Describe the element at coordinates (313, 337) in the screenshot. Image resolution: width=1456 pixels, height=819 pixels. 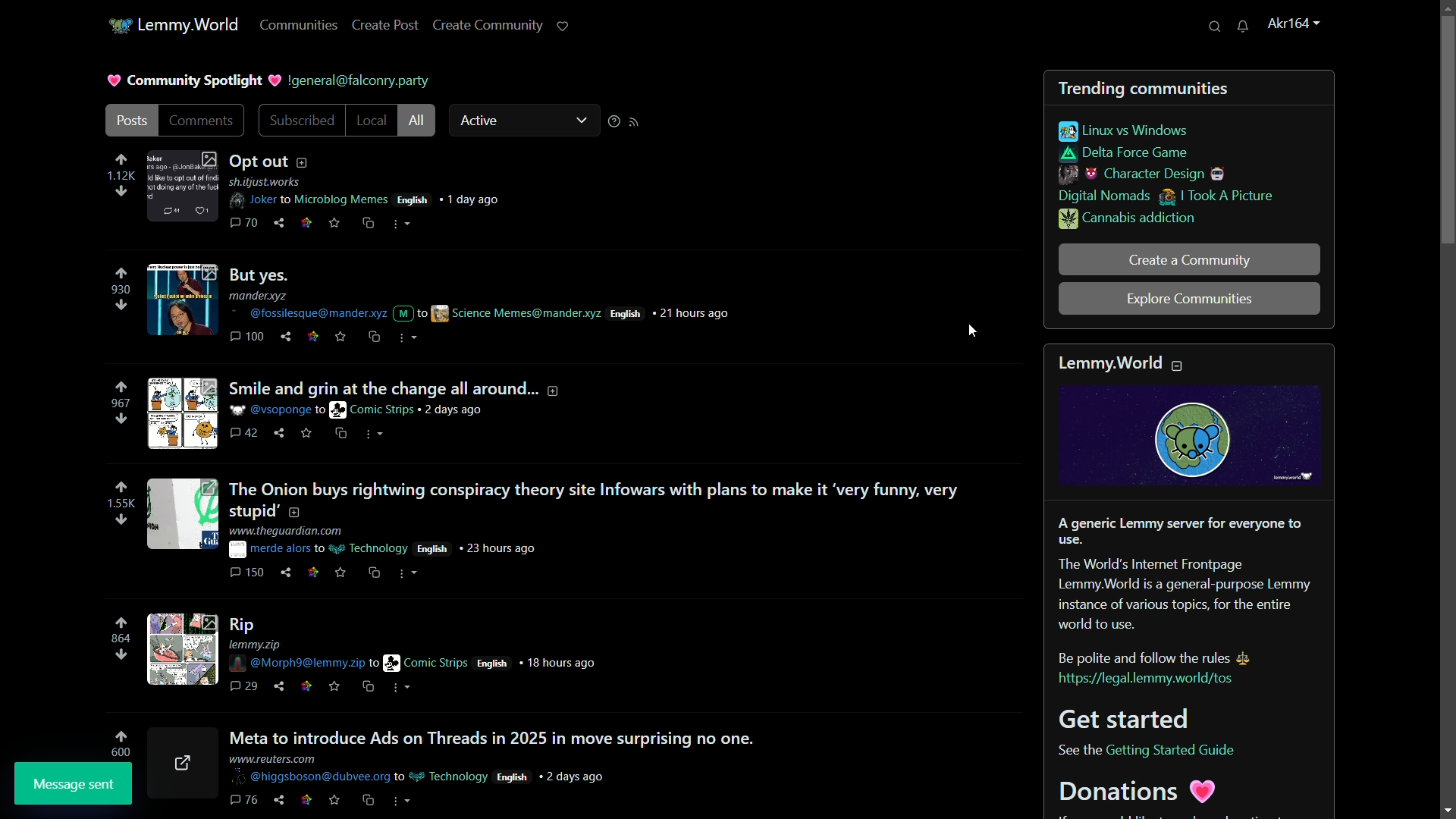
I see `` at that location.